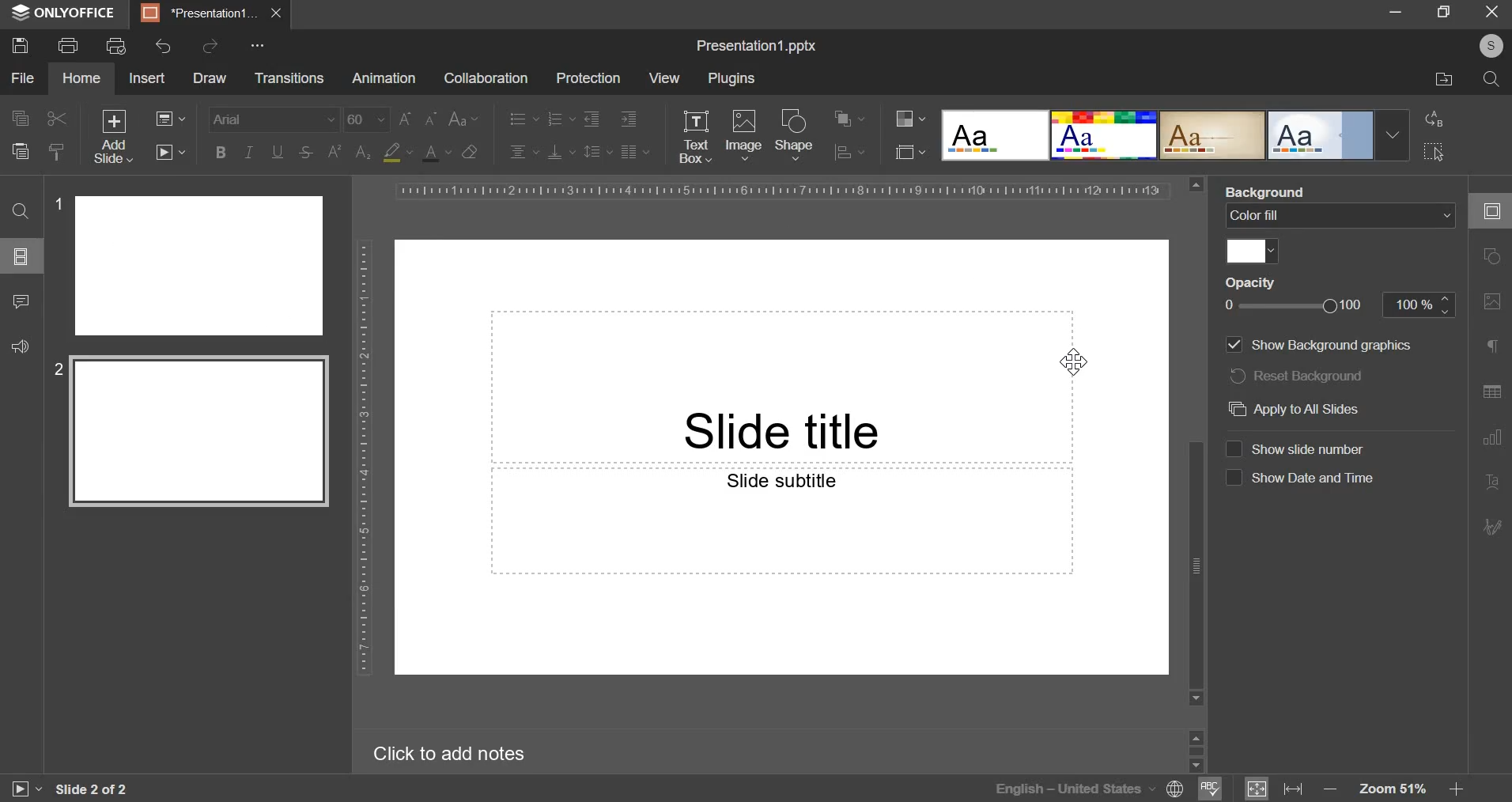 The height and width of the screenshot is (802, 1512). I want to click on feedback, so click(17, 344).